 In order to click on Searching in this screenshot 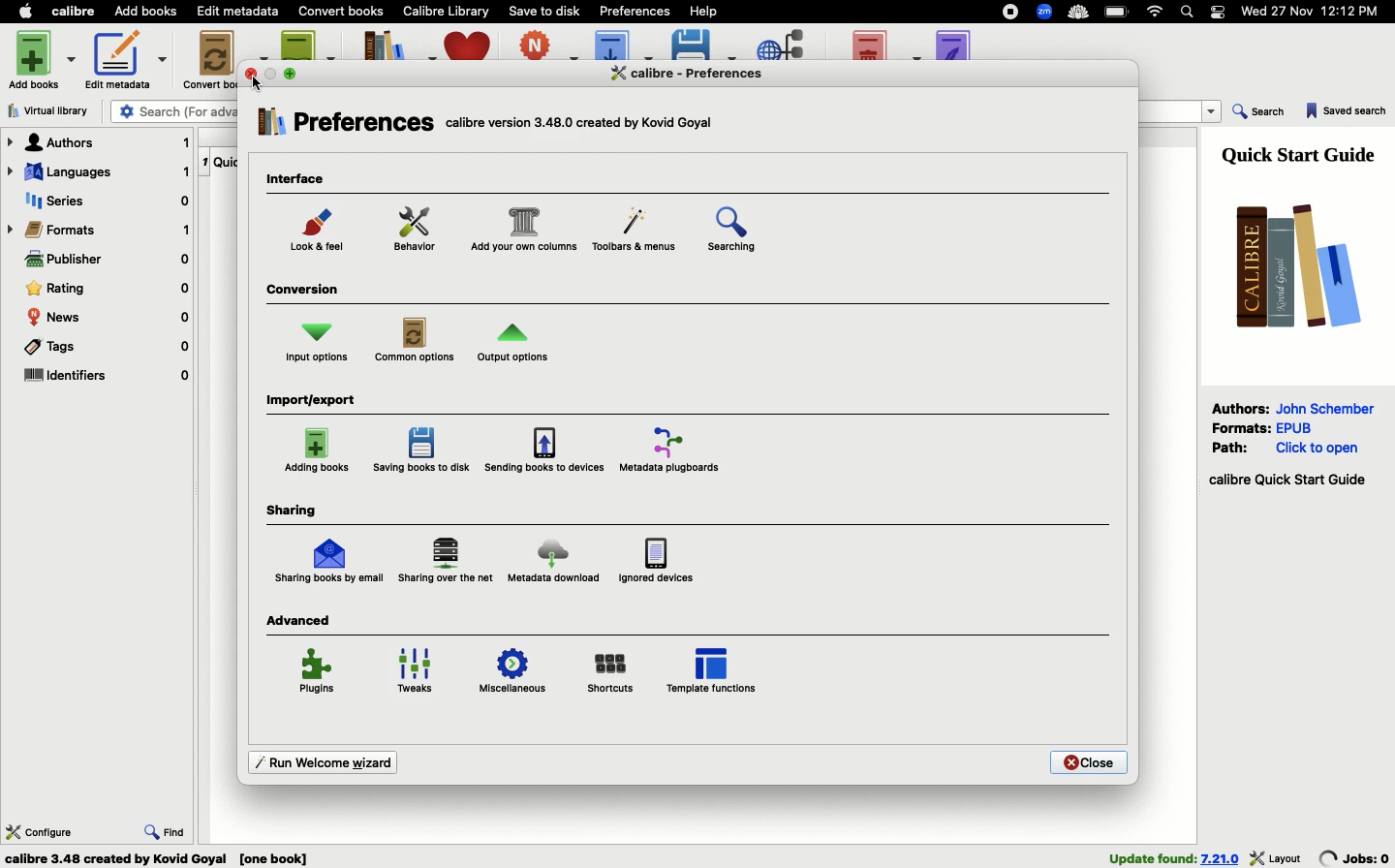, I will do `click(744, 233)`.